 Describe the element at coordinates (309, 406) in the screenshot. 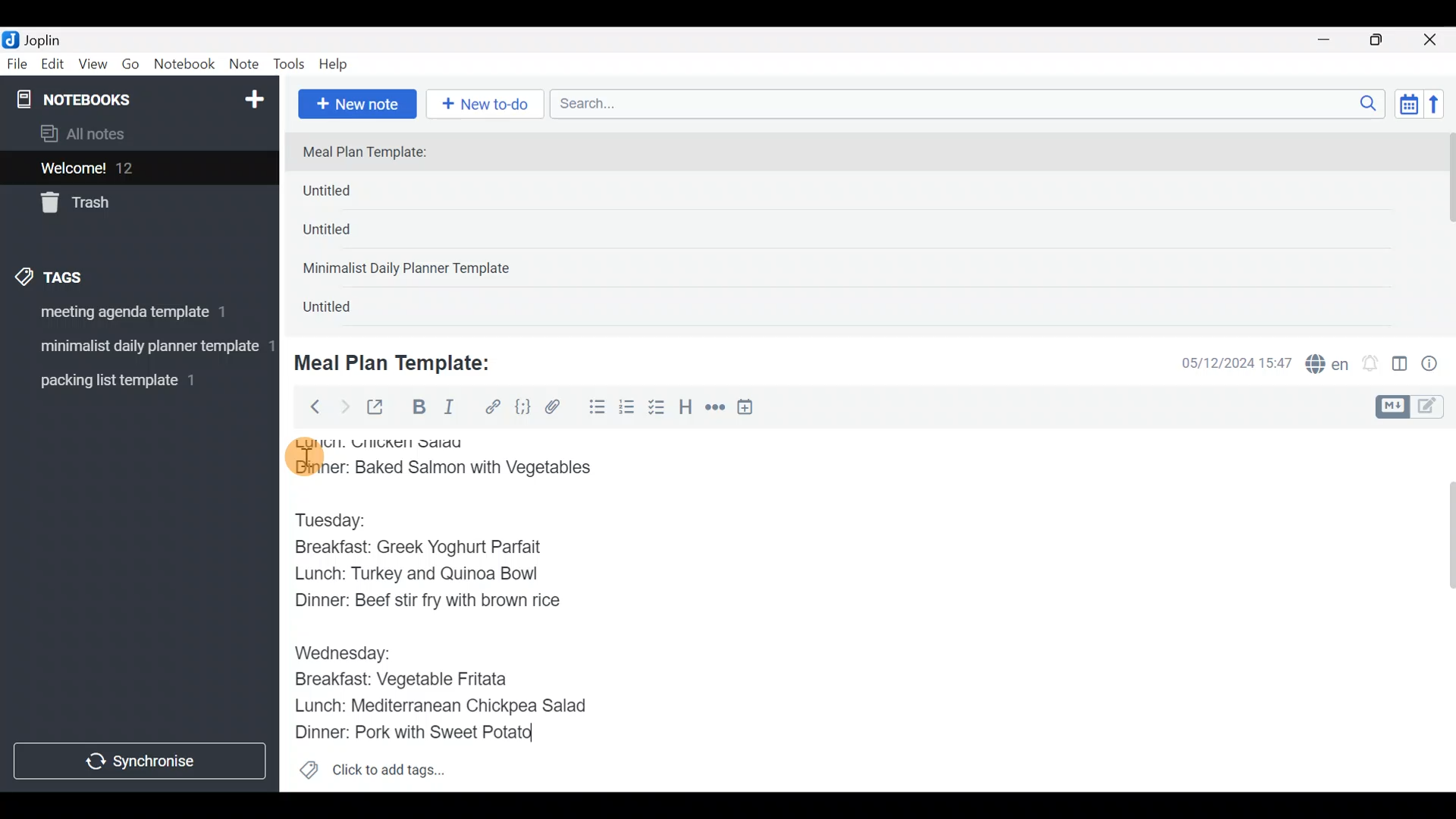

I see `Back` at that location.